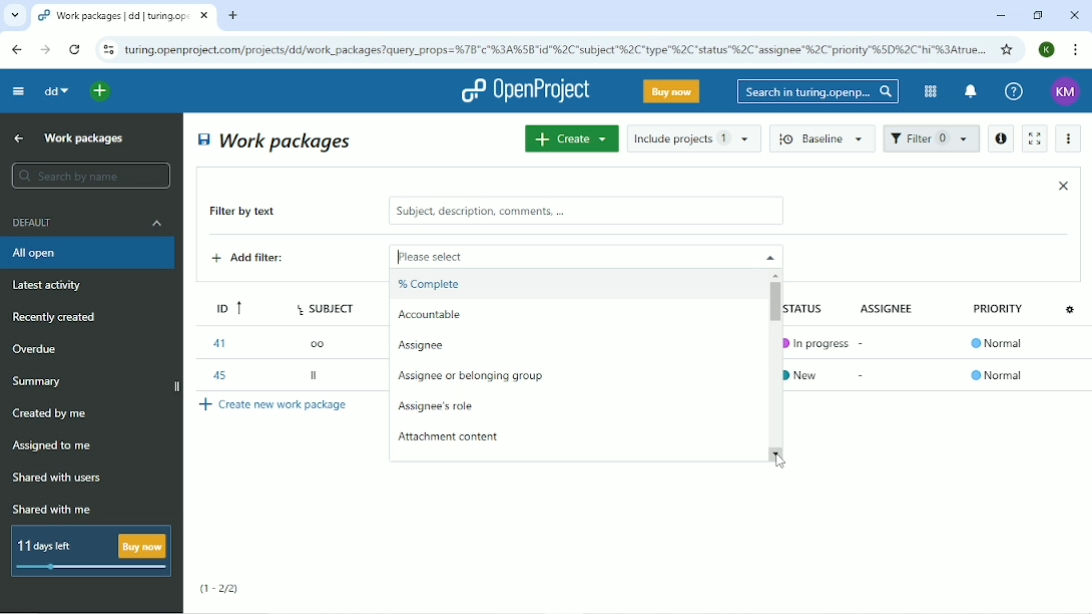 The width and height of the screenshot is (1092, 614). What do you see at coordinates (17, 90) in the screenshot?
I see `Collapse project menu` at bounding box center [17, 90].